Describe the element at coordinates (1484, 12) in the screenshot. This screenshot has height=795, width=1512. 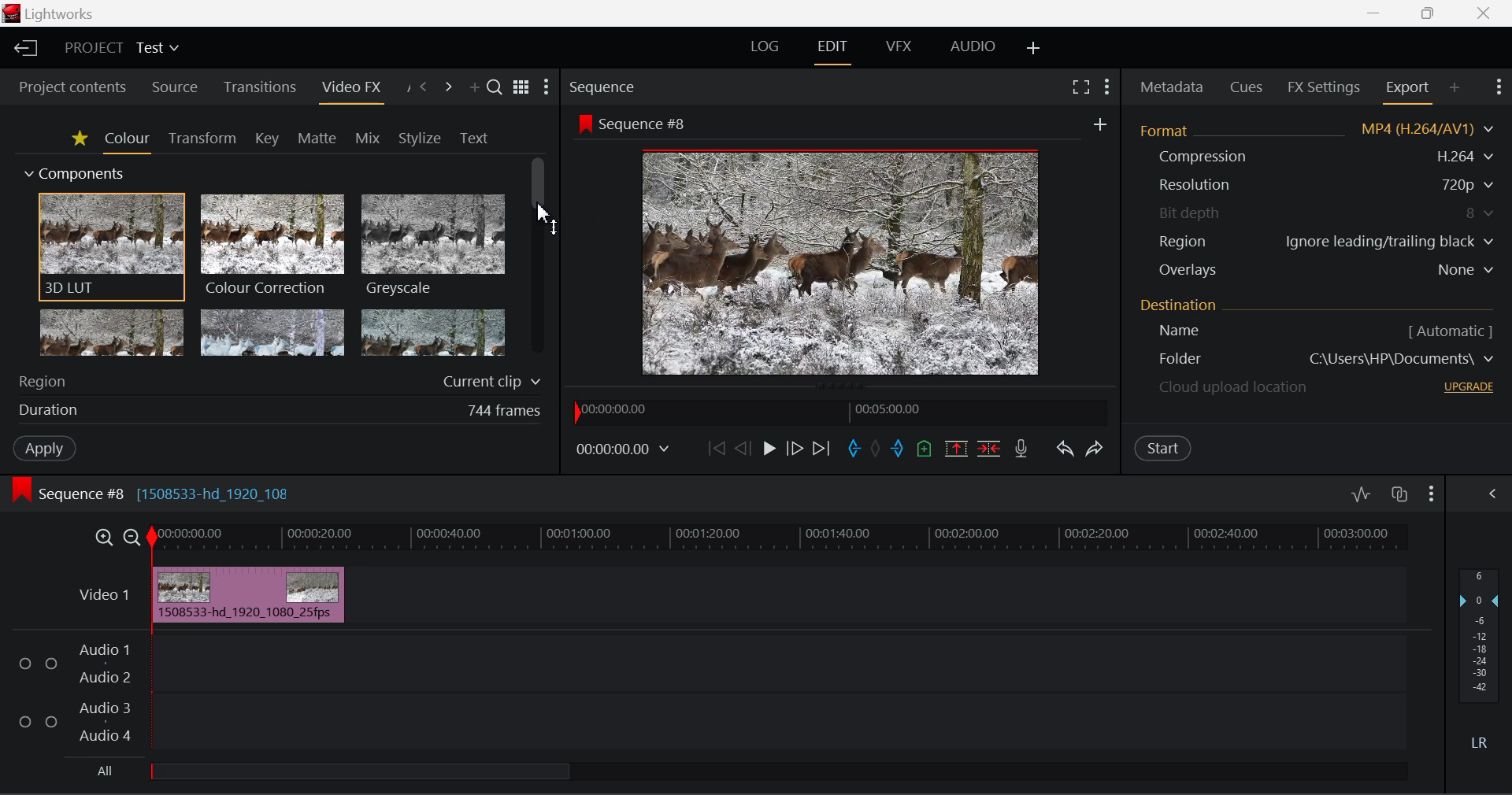
I see `Close` at that location.